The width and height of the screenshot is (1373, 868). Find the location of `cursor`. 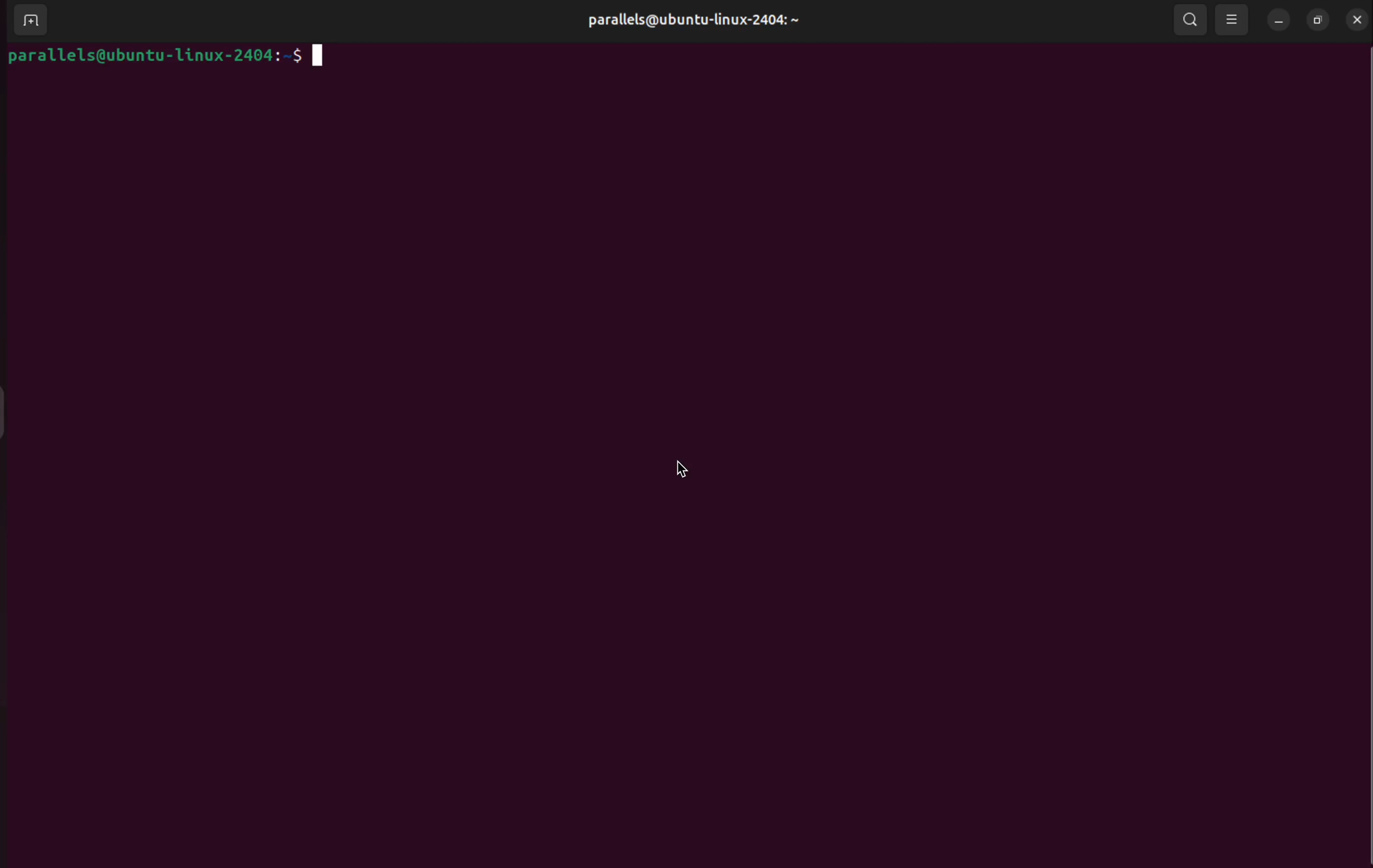

cursor is located at coordinates (686, 470).